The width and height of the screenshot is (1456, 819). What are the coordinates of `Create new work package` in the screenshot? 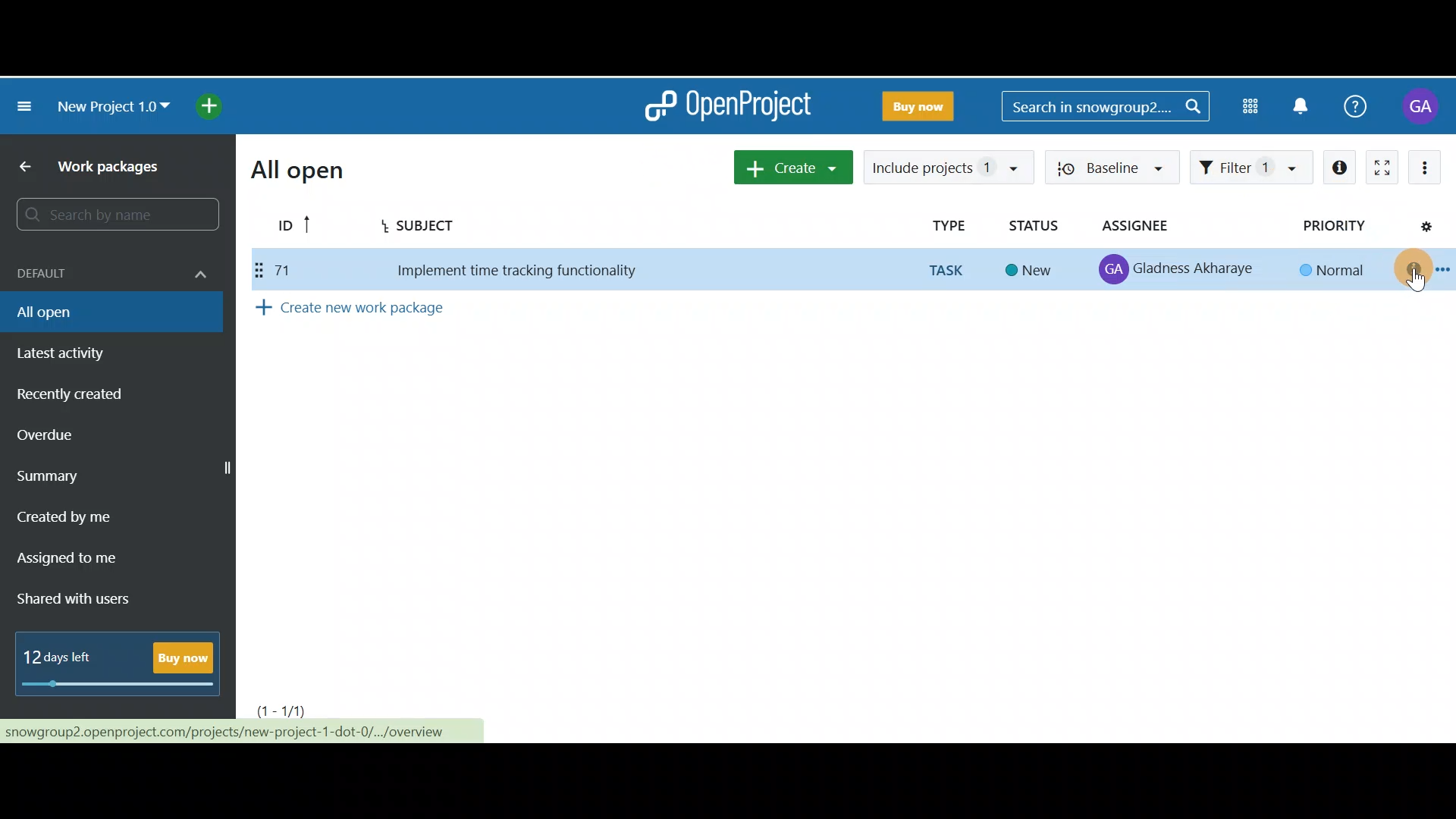 It's located at (390, 311).